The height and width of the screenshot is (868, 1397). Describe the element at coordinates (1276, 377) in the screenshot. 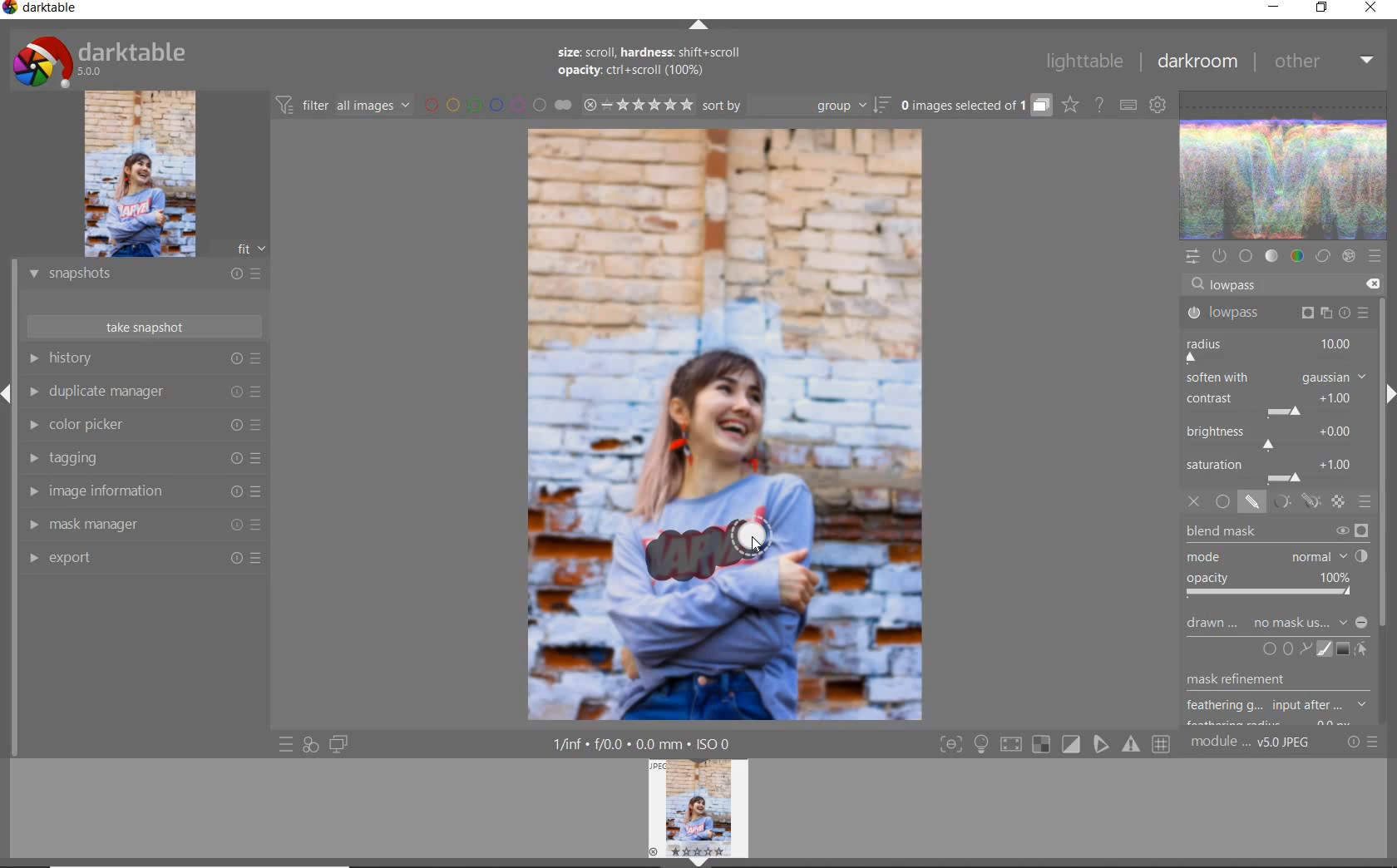

I see `soften with` at that location.